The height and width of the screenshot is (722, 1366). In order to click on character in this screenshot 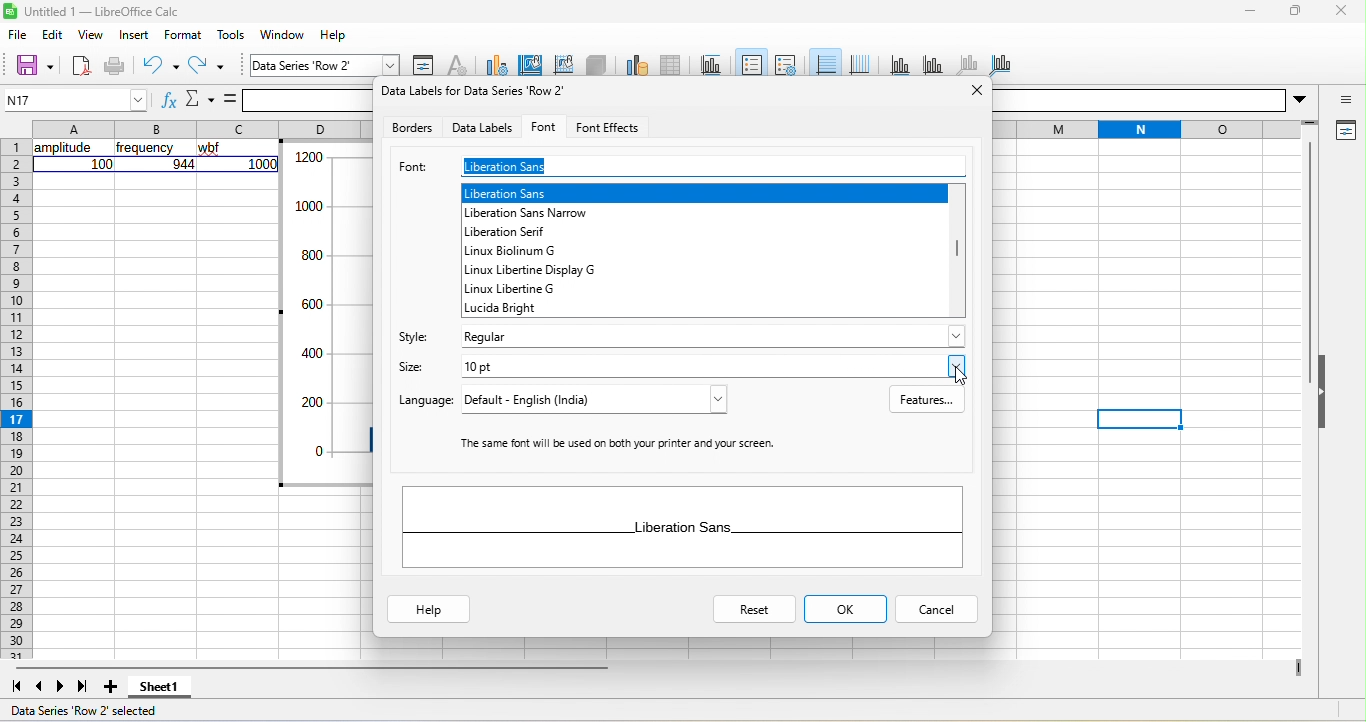, I will do `click(459, 62)`.